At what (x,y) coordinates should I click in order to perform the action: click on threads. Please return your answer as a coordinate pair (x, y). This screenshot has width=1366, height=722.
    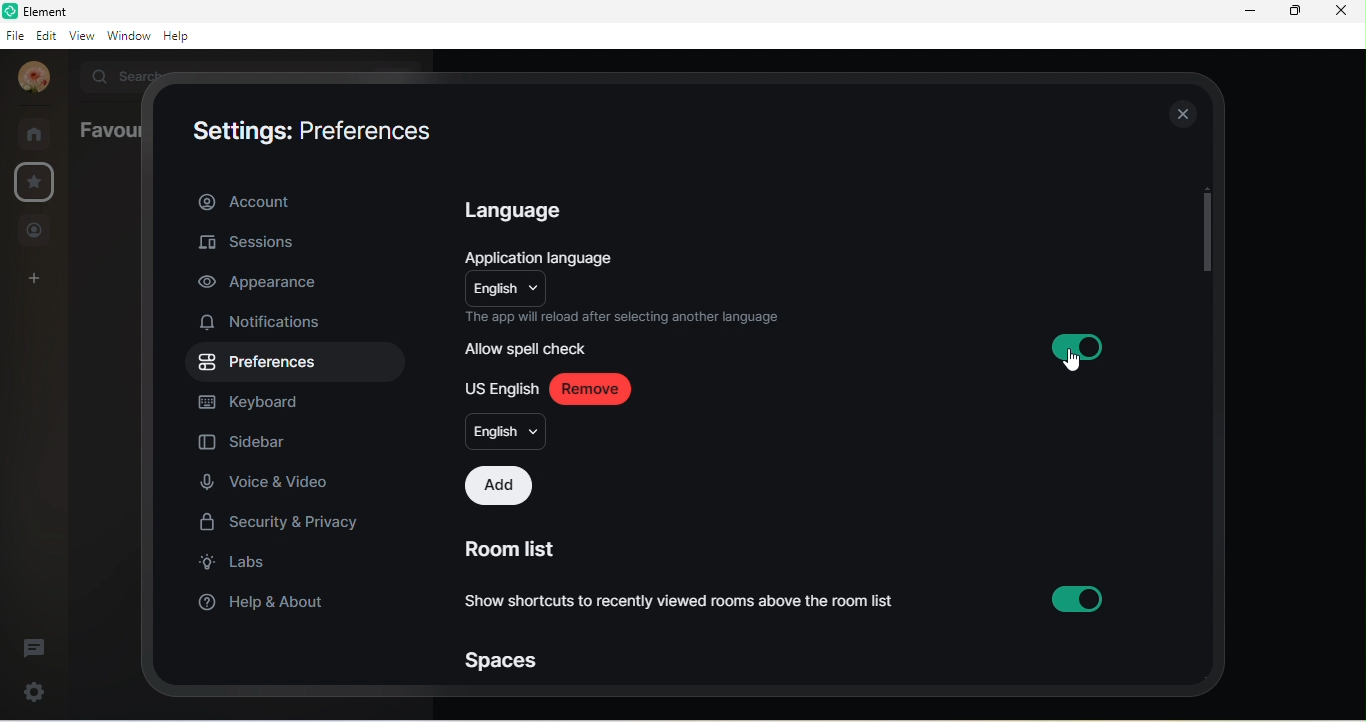
    Looking at the image, I should click on (38, 647).